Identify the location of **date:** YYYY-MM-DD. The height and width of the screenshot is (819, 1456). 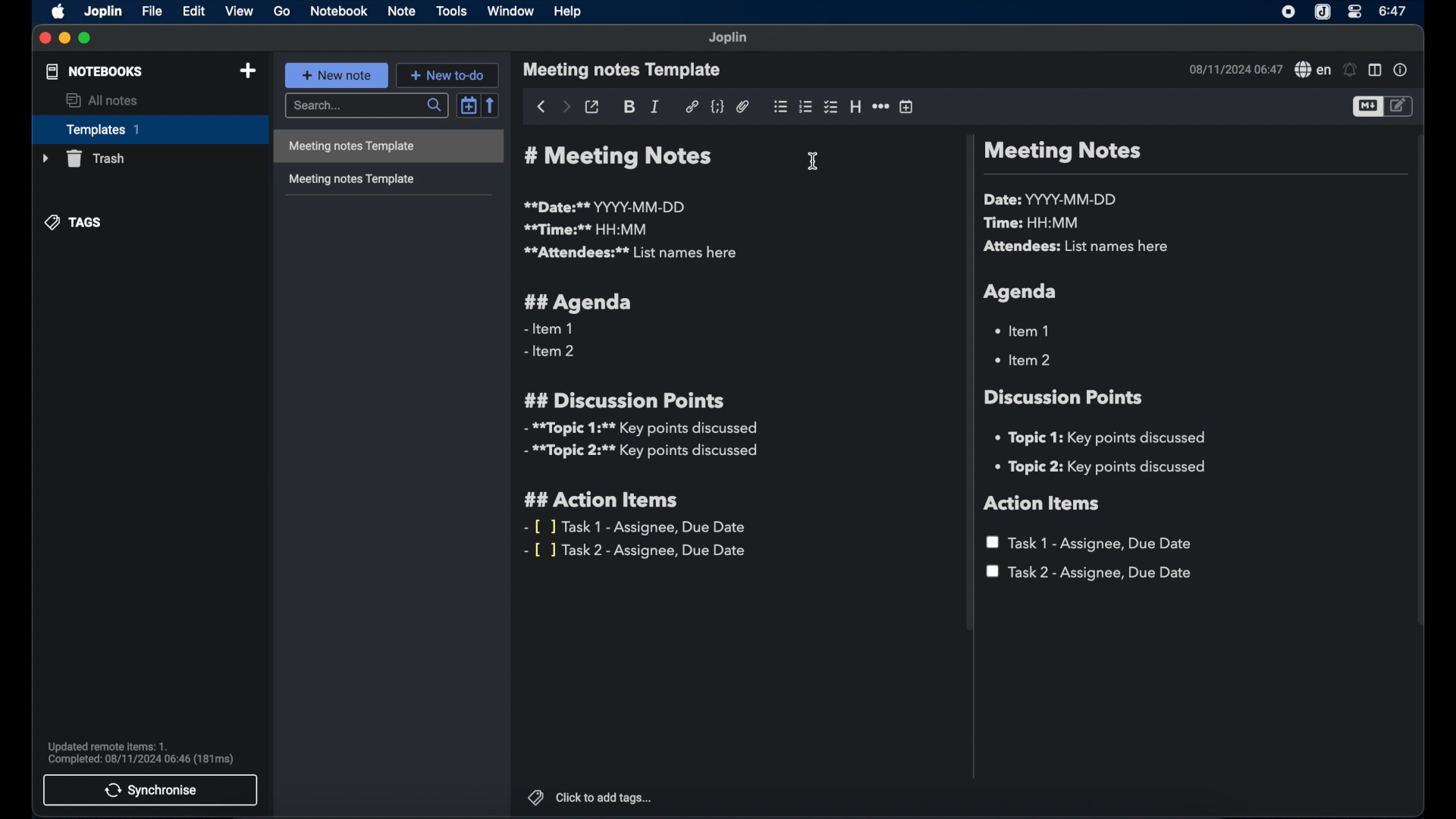
(607, 206).